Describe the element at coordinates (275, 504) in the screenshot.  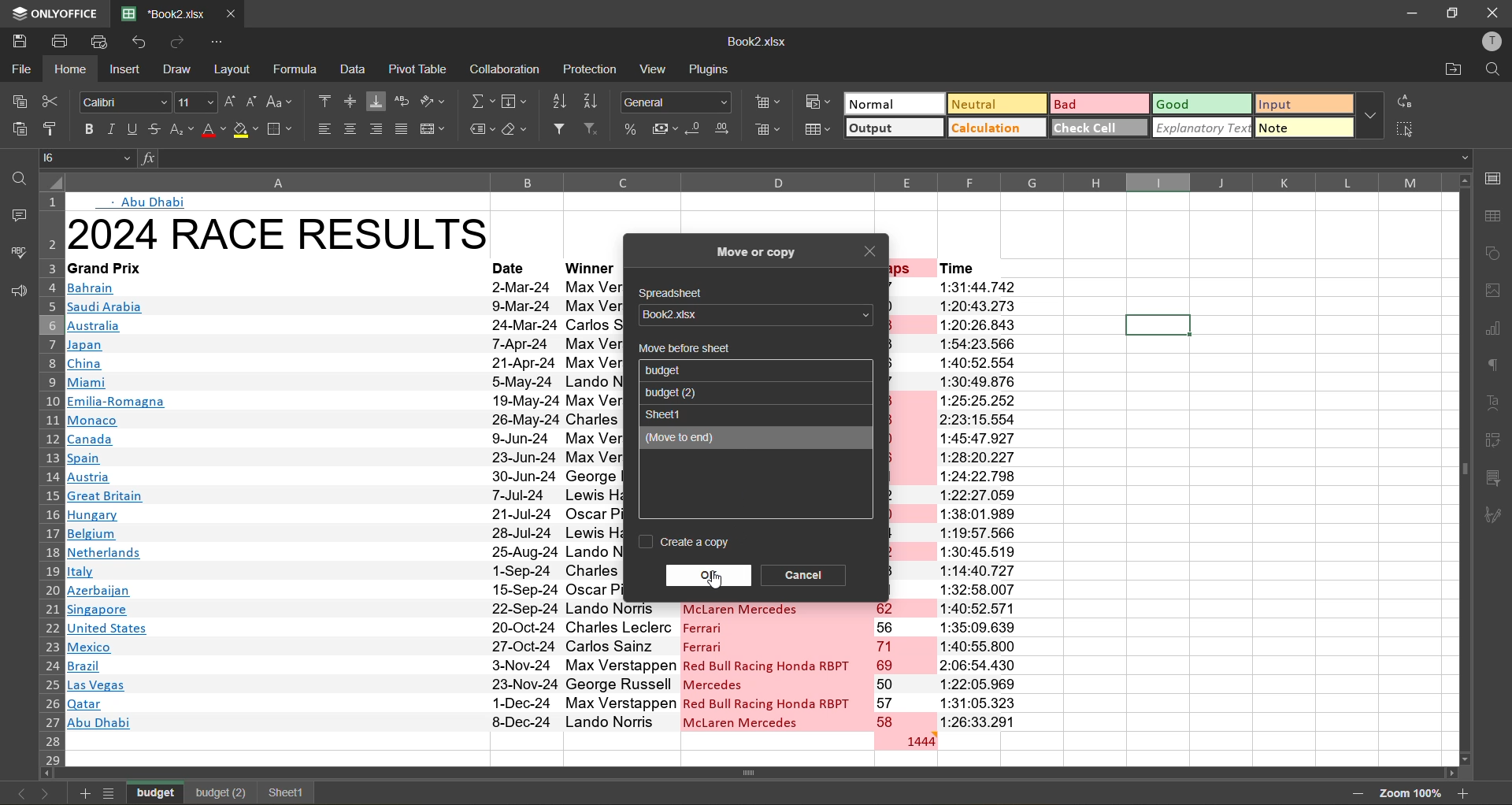
I see `gran prix` at that location.